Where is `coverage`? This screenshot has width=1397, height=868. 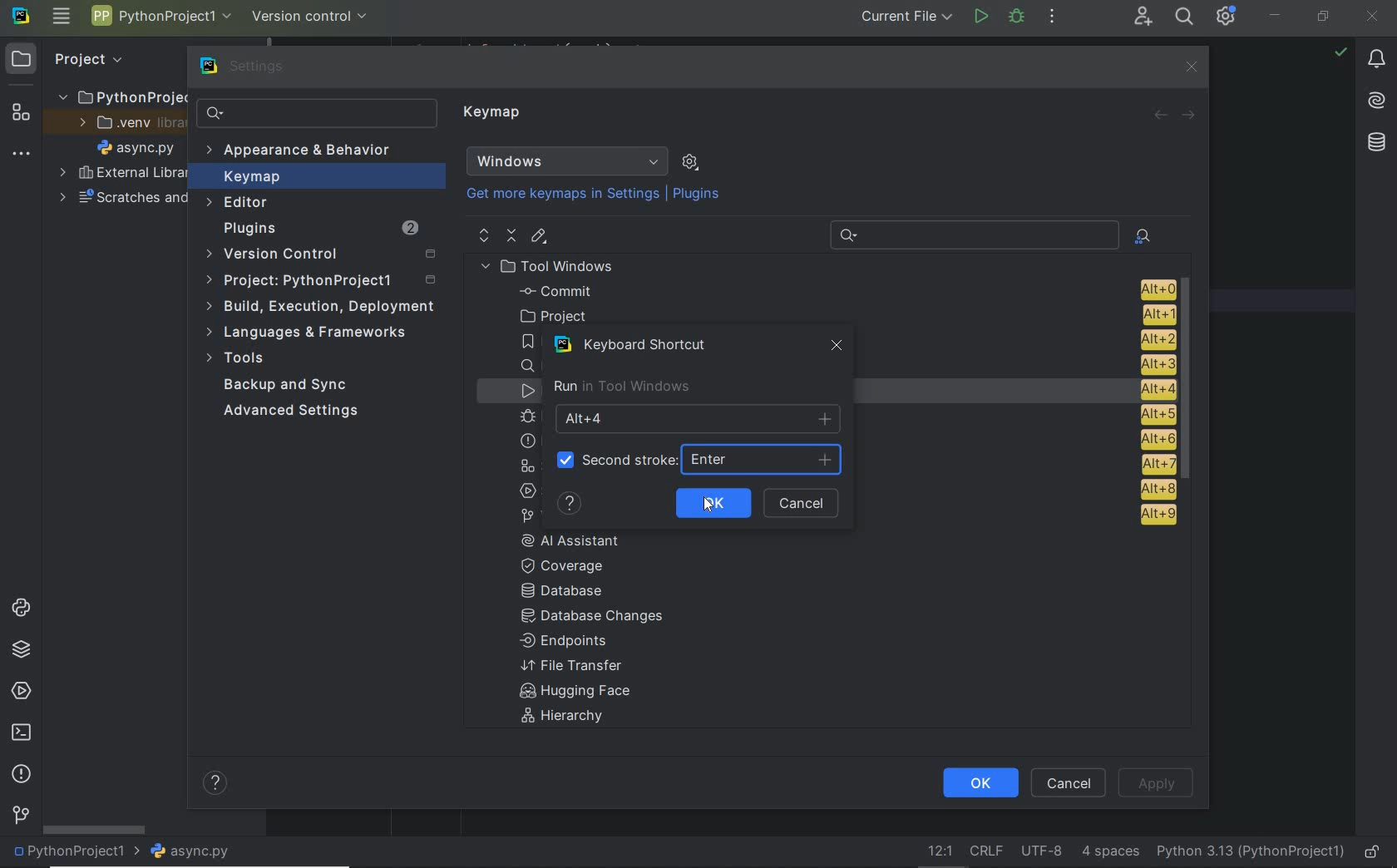 coverage is located at coordinates (572, 565).